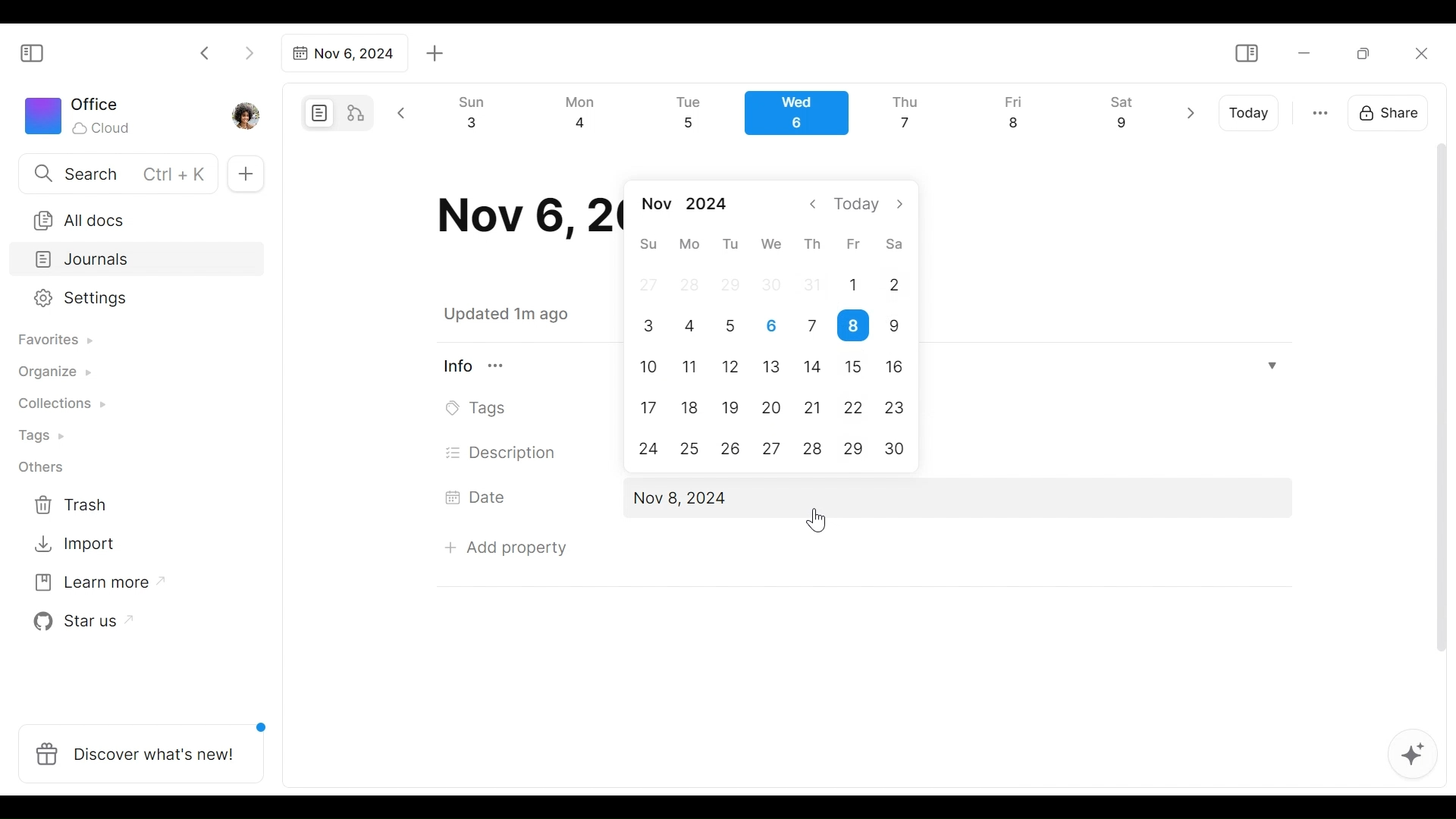  Describe the element at coordinates (116, 173) in the screenshot. I see `Search` at that location.